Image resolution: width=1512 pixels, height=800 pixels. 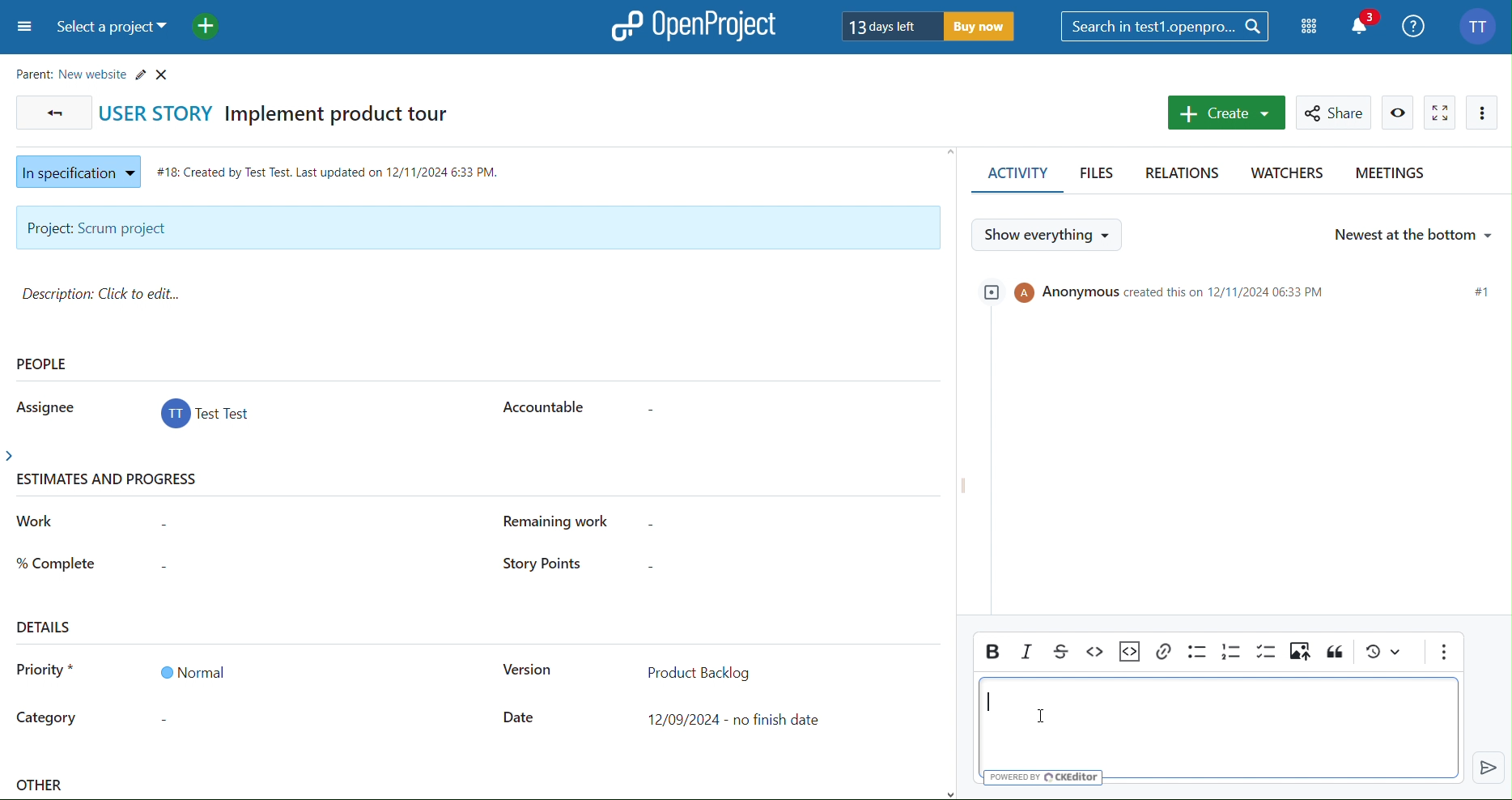 I want to click on Bold, so click(x=992, y=651).